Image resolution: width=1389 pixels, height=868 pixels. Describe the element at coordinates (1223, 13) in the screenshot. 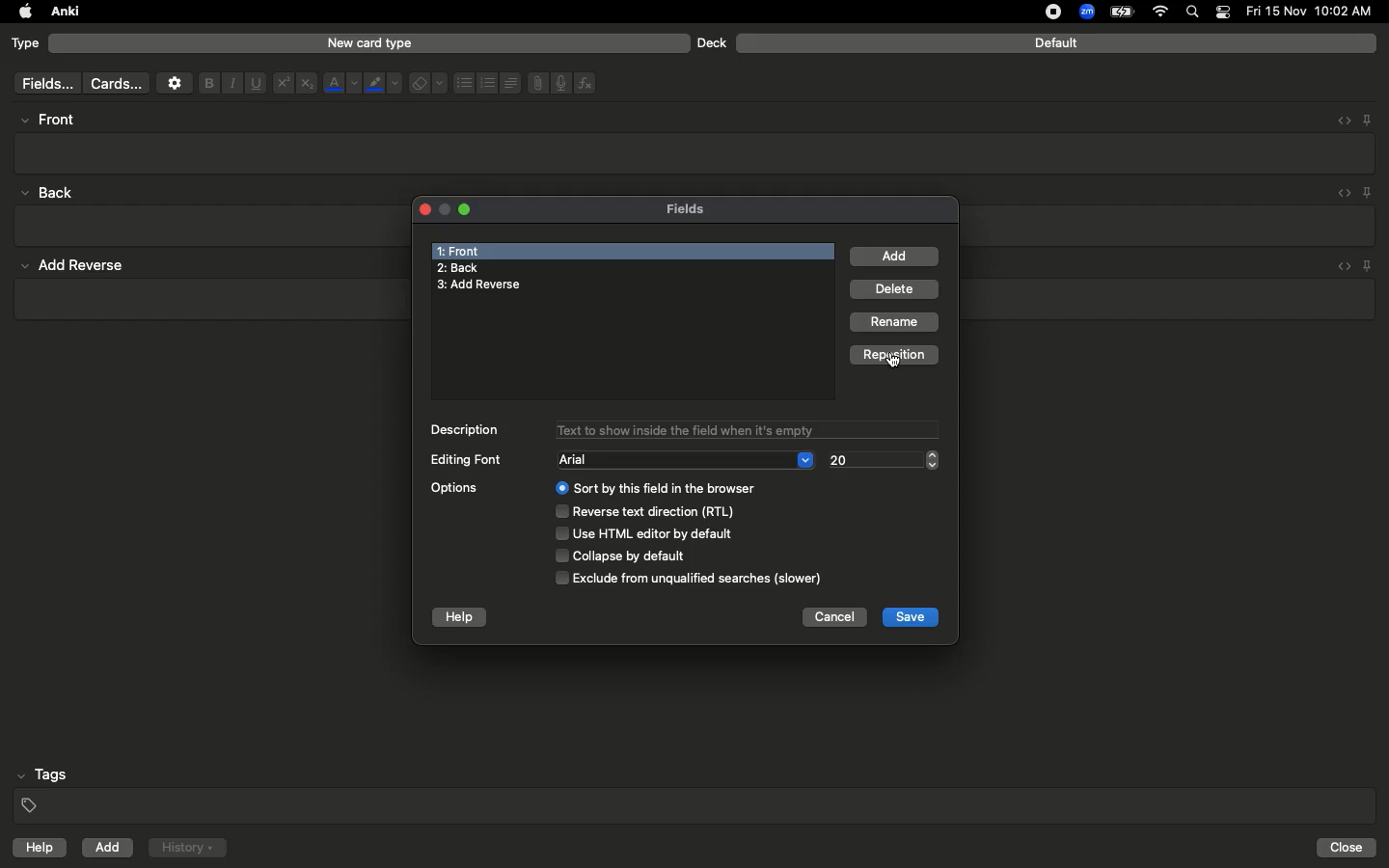

I see `Notification bar` at that location.